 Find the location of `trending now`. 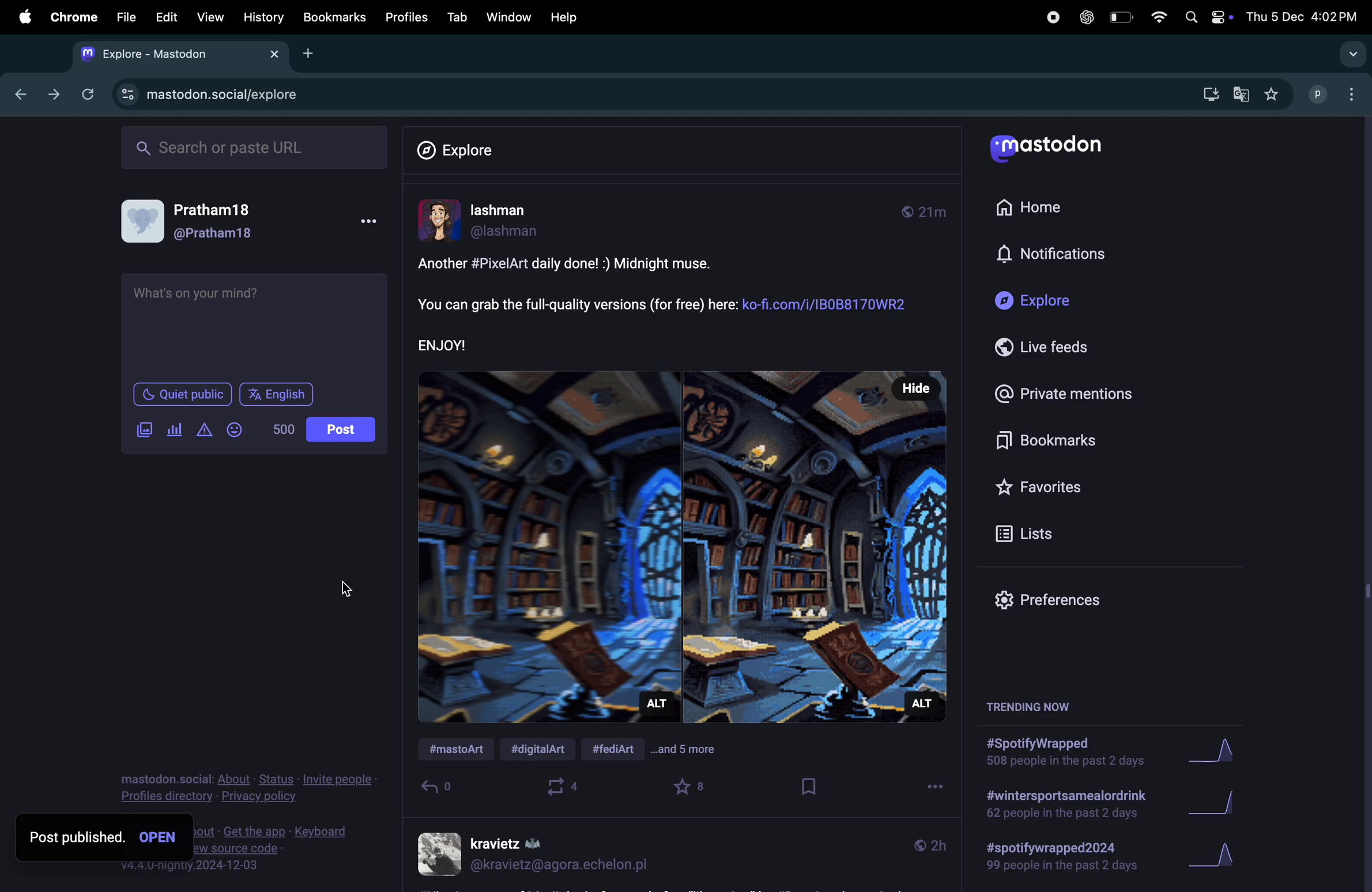

trending now is located at coordinates (1026, 709).